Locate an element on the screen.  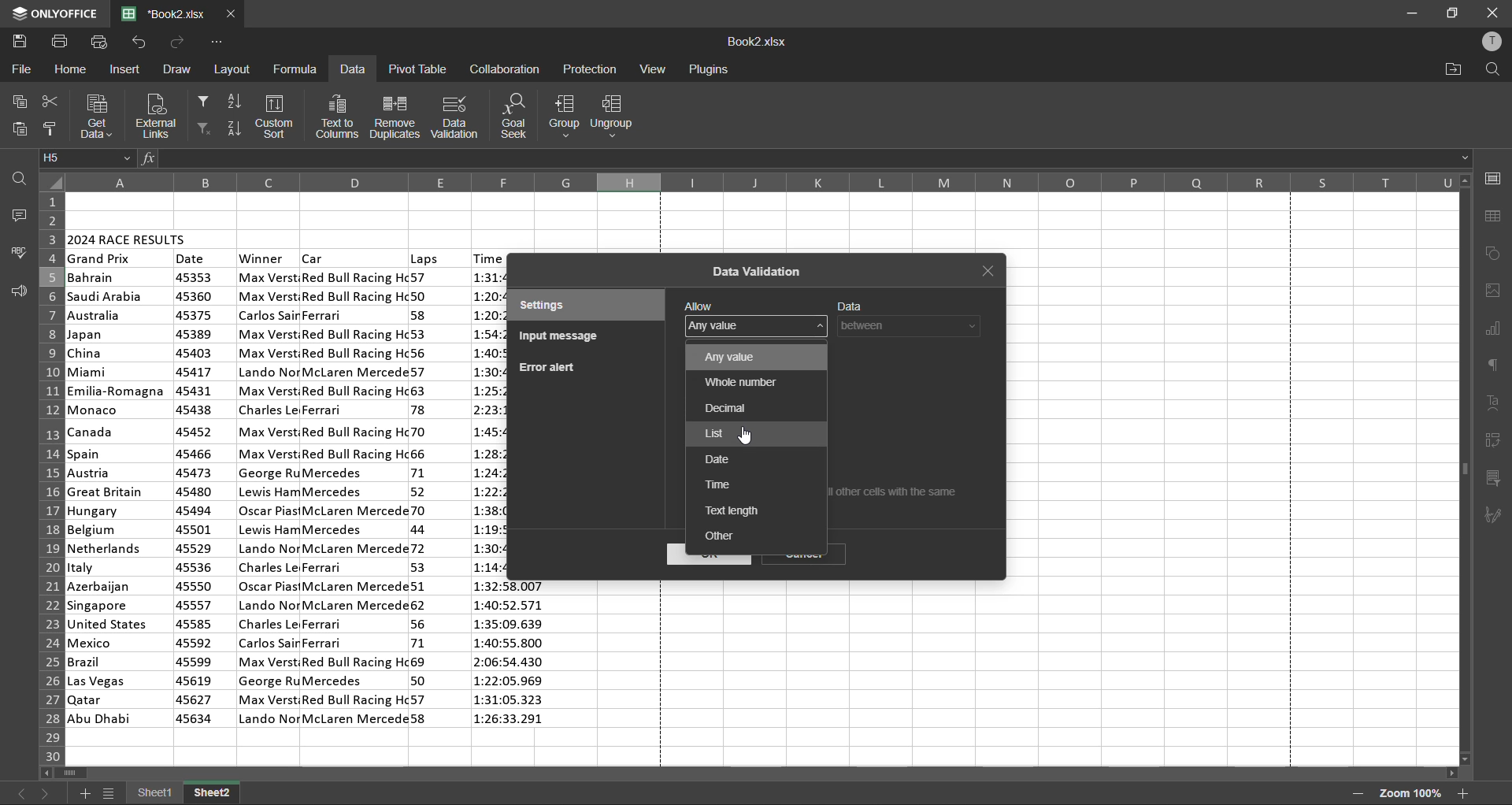
home is located at coordinates (71, 71).